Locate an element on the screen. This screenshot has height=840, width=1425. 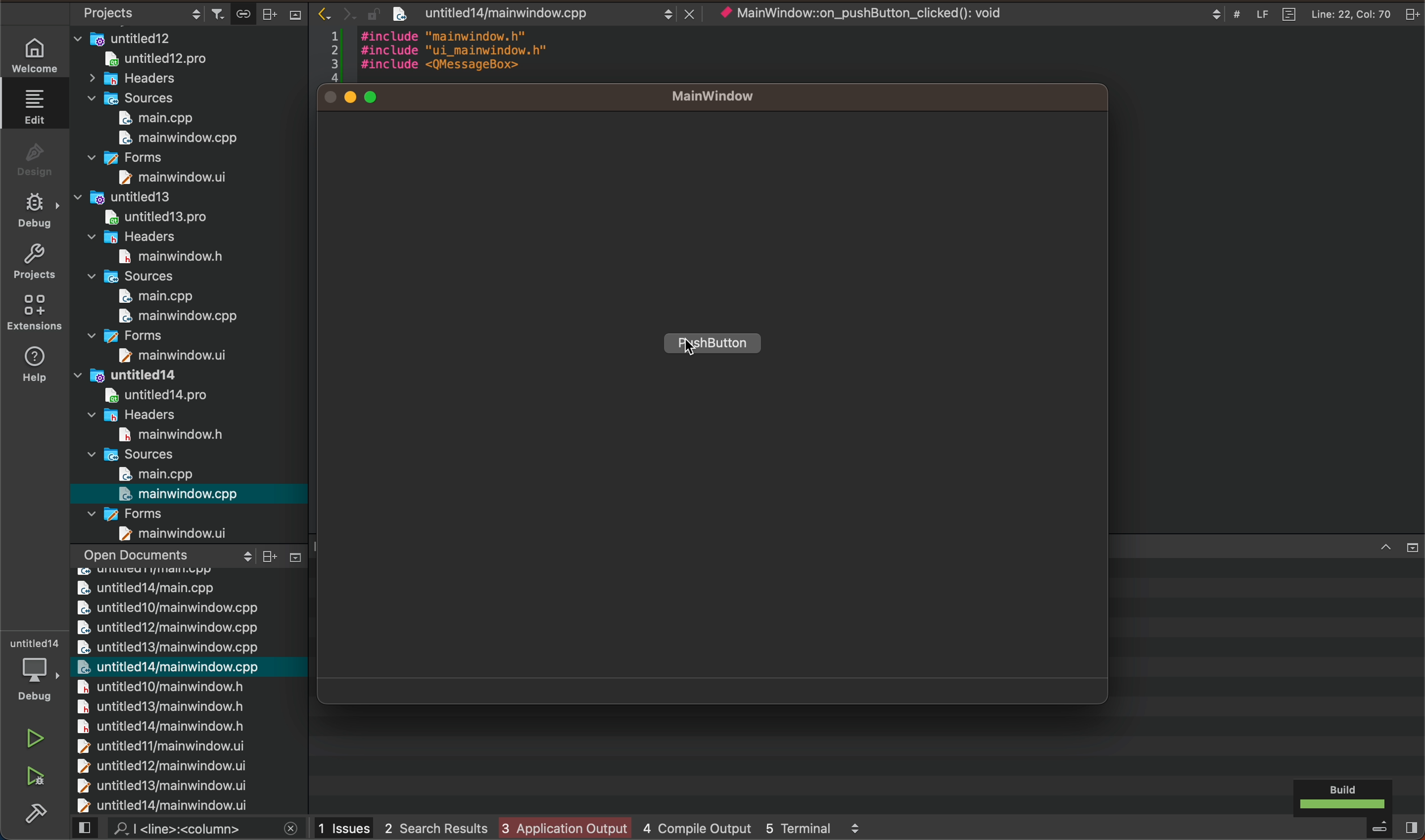
headers is located at coordinates (143, 236).